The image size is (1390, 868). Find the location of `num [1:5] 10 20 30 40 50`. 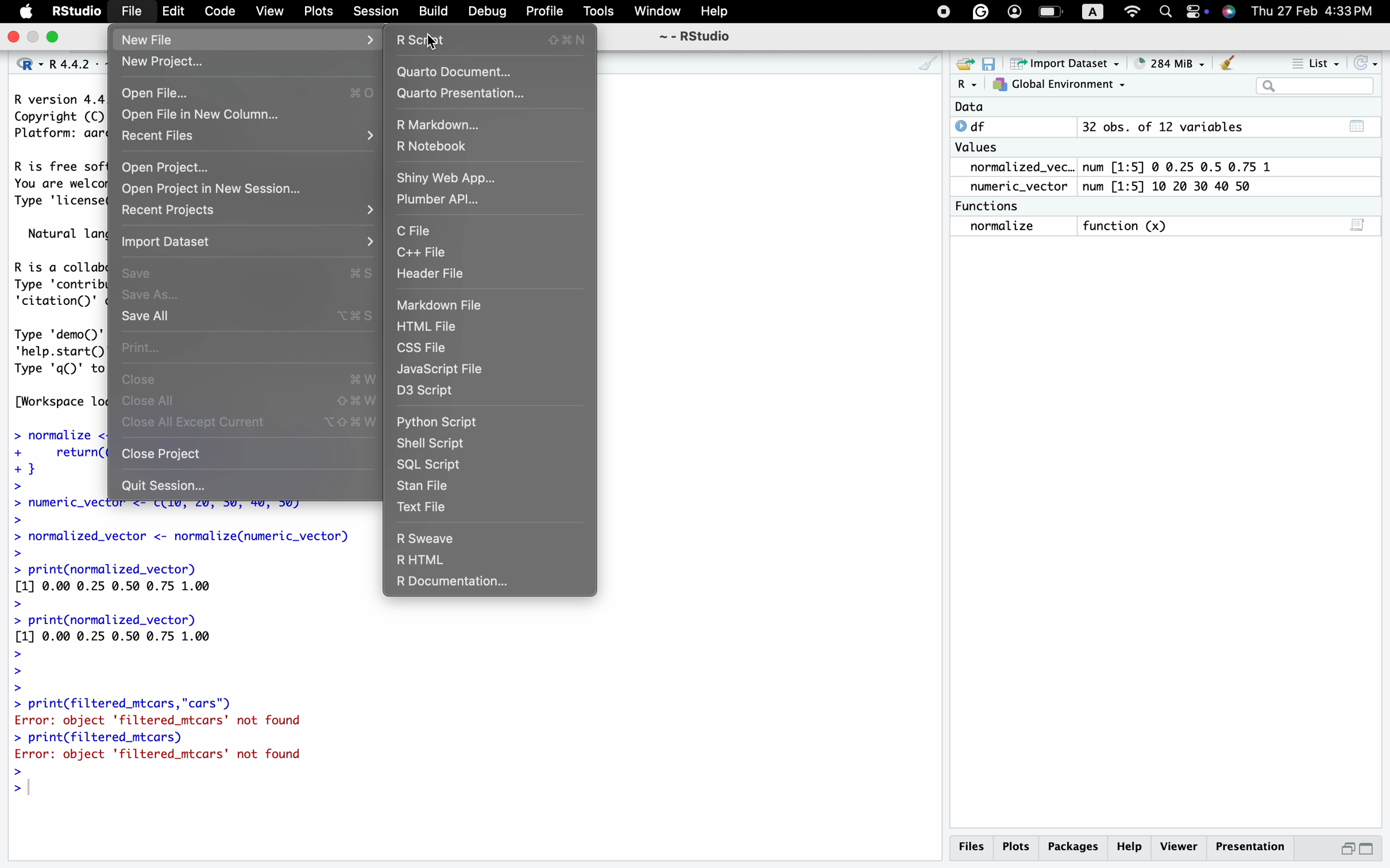

num [1:5] 10 20 30 40 50 is located at coordinates (1178, 186).